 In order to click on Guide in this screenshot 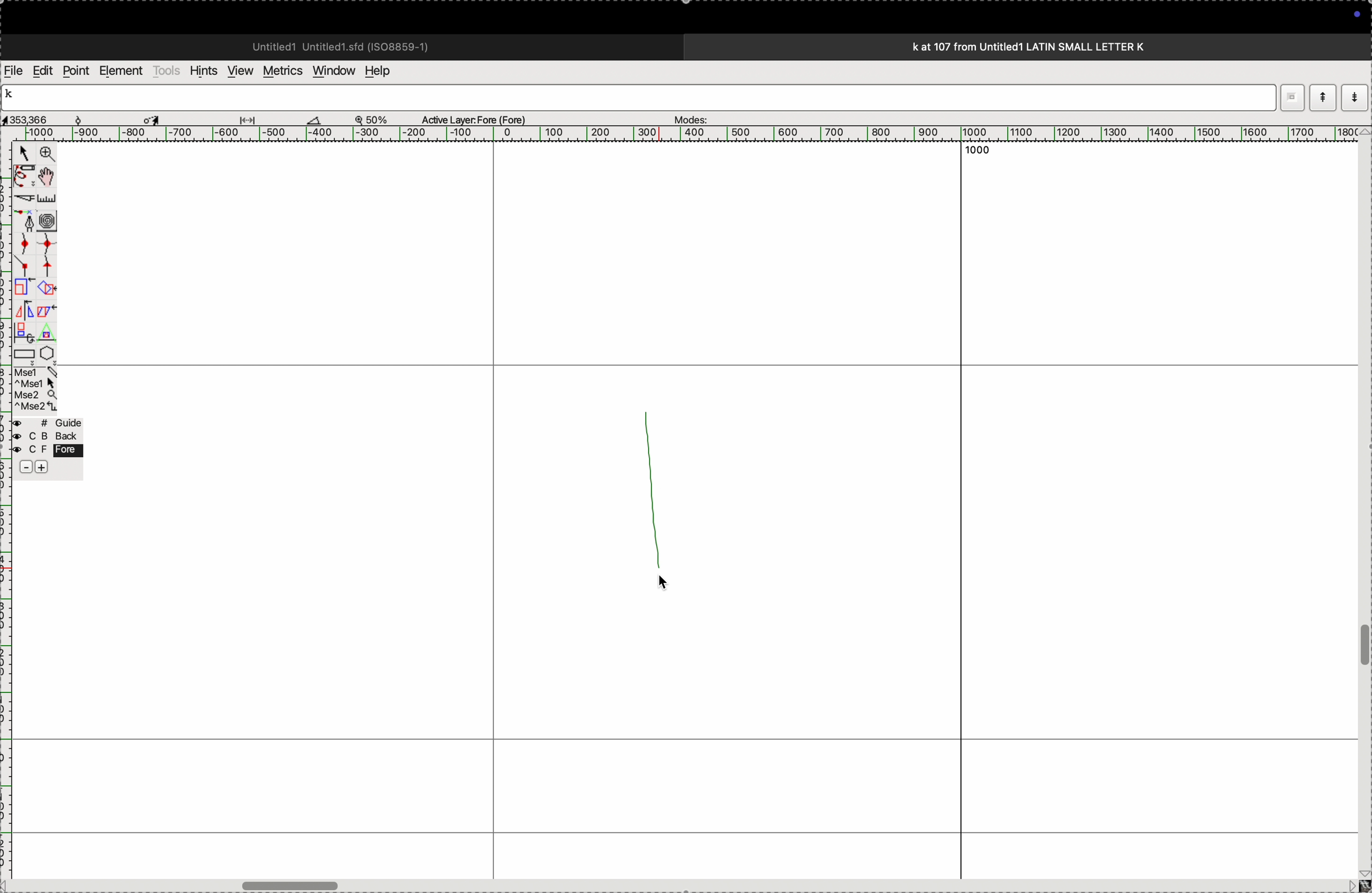, I will do `click(47, 446)`.